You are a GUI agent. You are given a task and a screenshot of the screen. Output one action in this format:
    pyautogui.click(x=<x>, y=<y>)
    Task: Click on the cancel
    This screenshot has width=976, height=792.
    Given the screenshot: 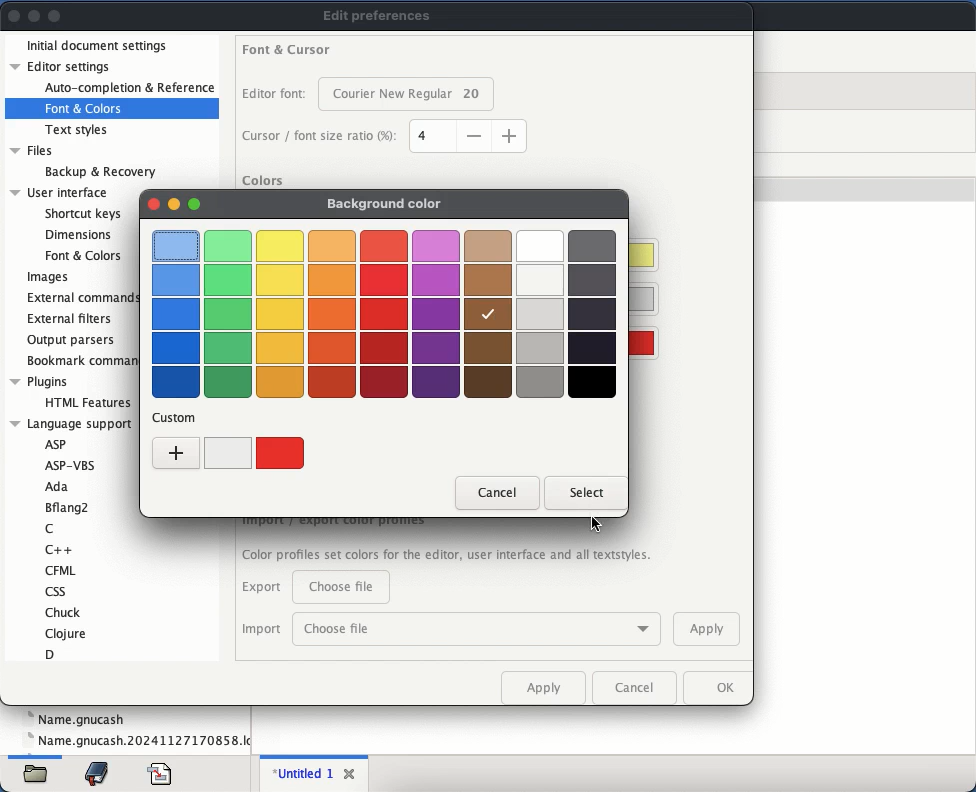 What is the action you would take?
    pyautogui.click(x=637, y=686)
    